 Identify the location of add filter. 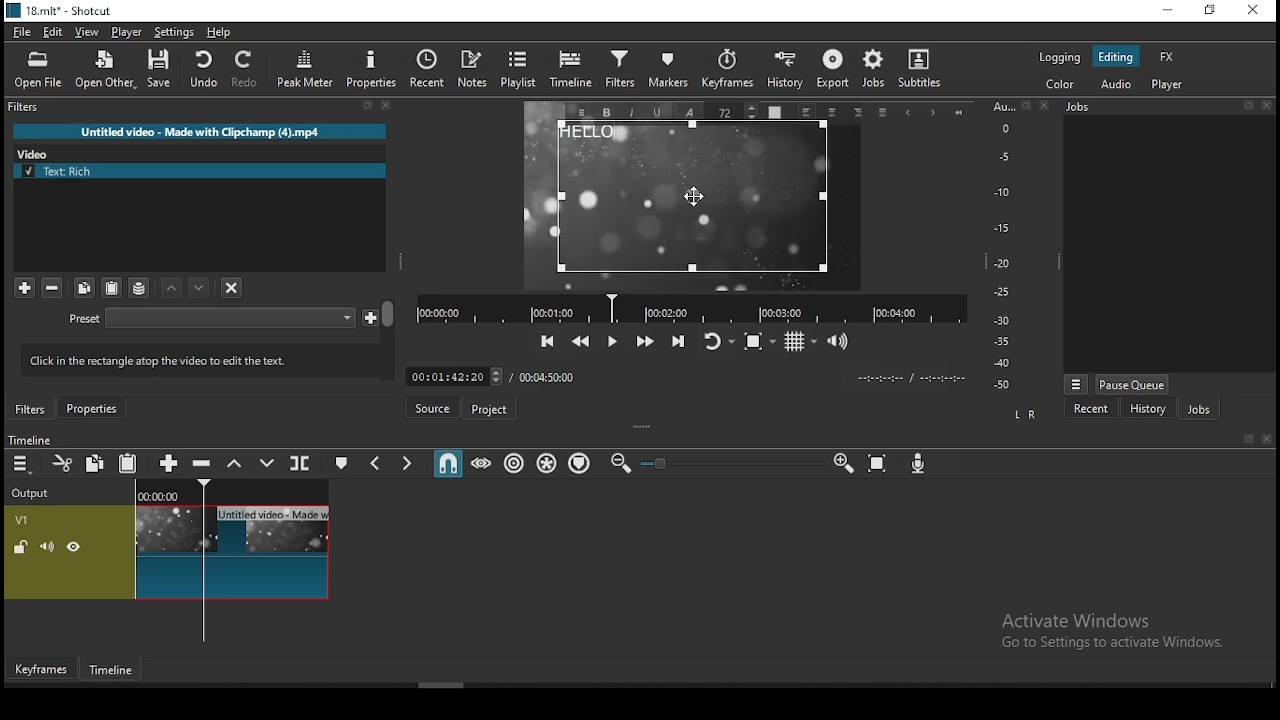
(24, 288).